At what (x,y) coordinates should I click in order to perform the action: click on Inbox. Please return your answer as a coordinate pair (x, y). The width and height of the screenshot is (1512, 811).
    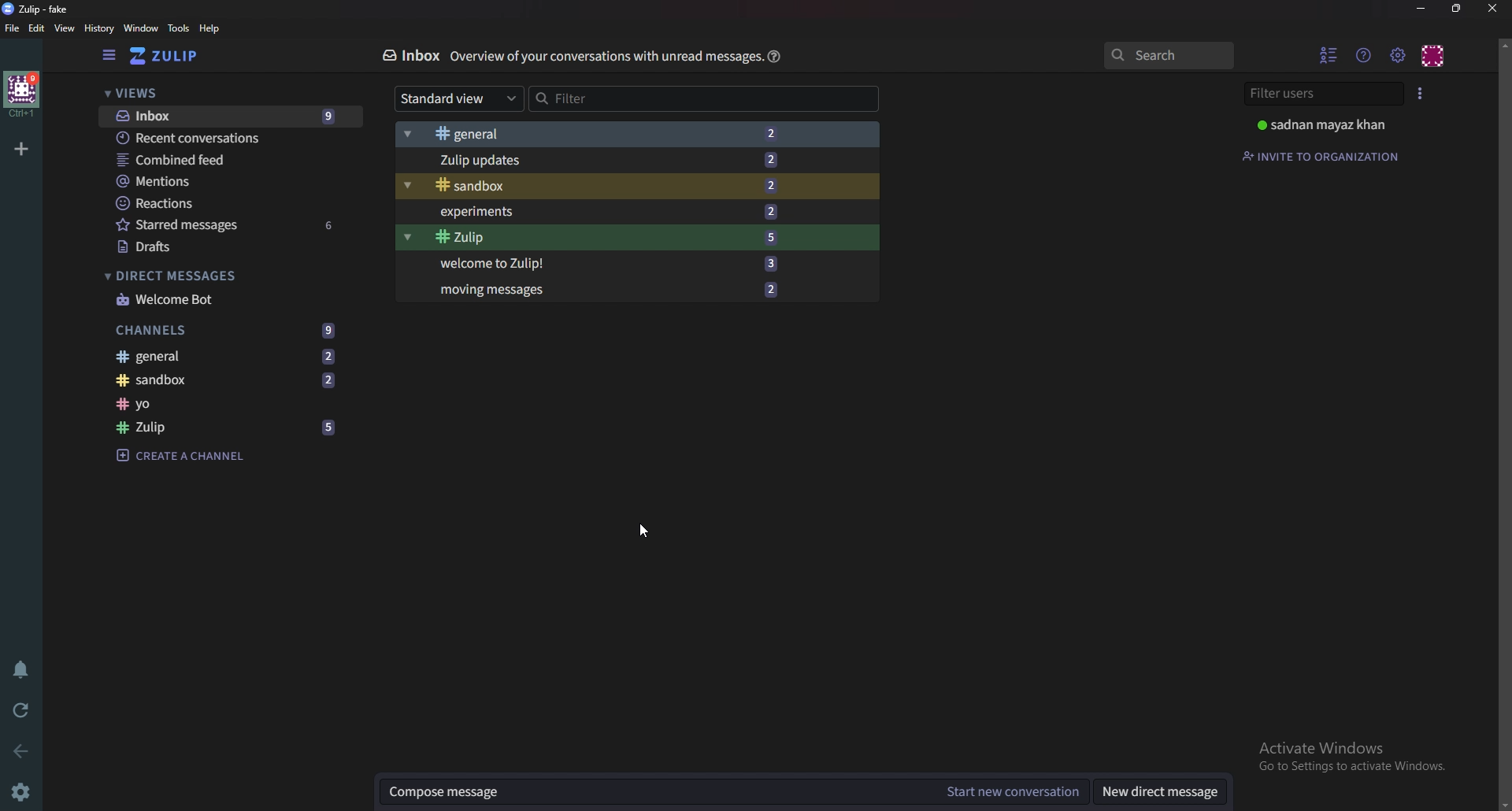
    Looking at the image, I should click on (413, 57).